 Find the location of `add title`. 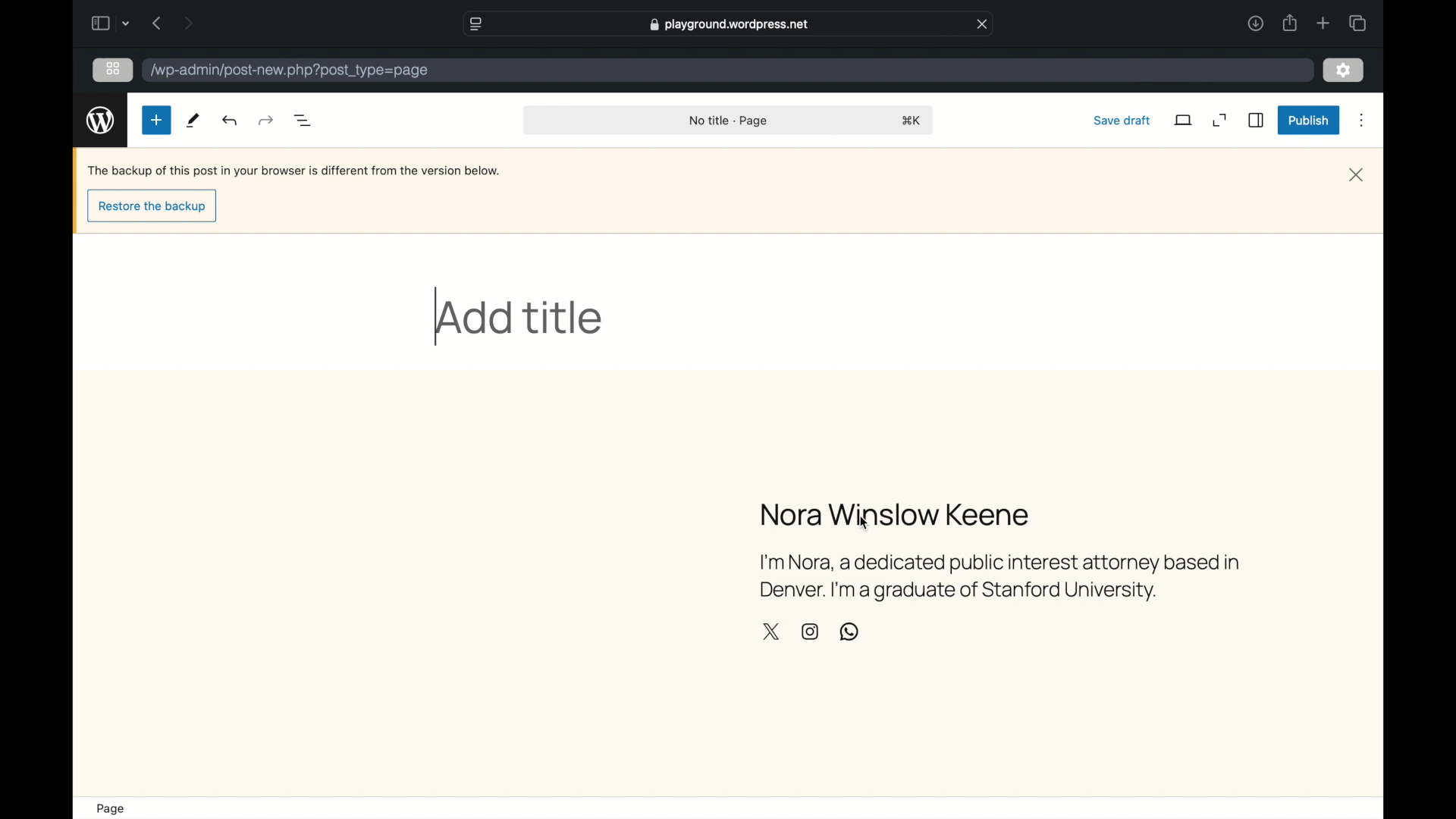

add title is located at coordinates (520, 318).